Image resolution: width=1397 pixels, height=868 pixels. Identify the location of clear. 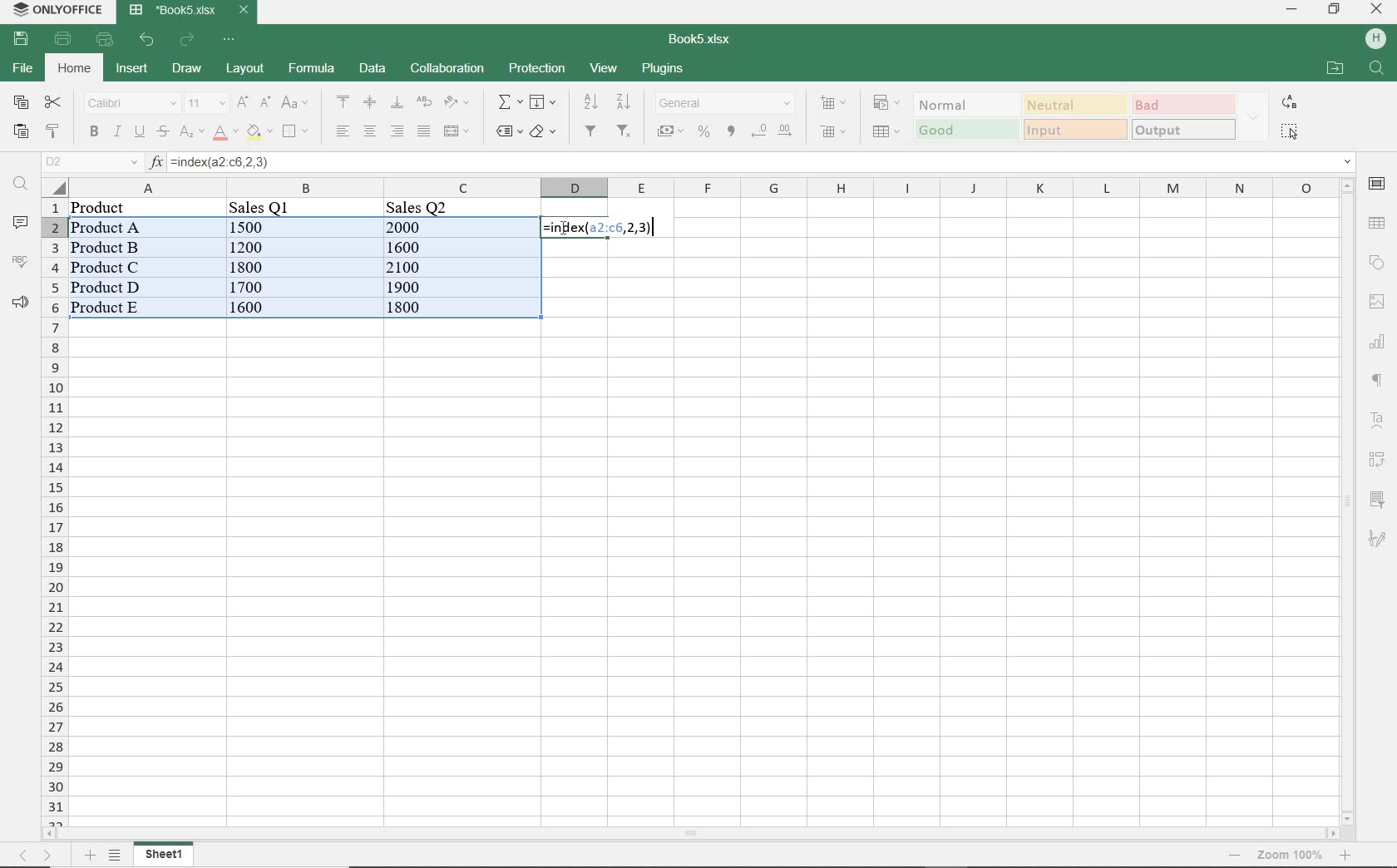
(544, 133).